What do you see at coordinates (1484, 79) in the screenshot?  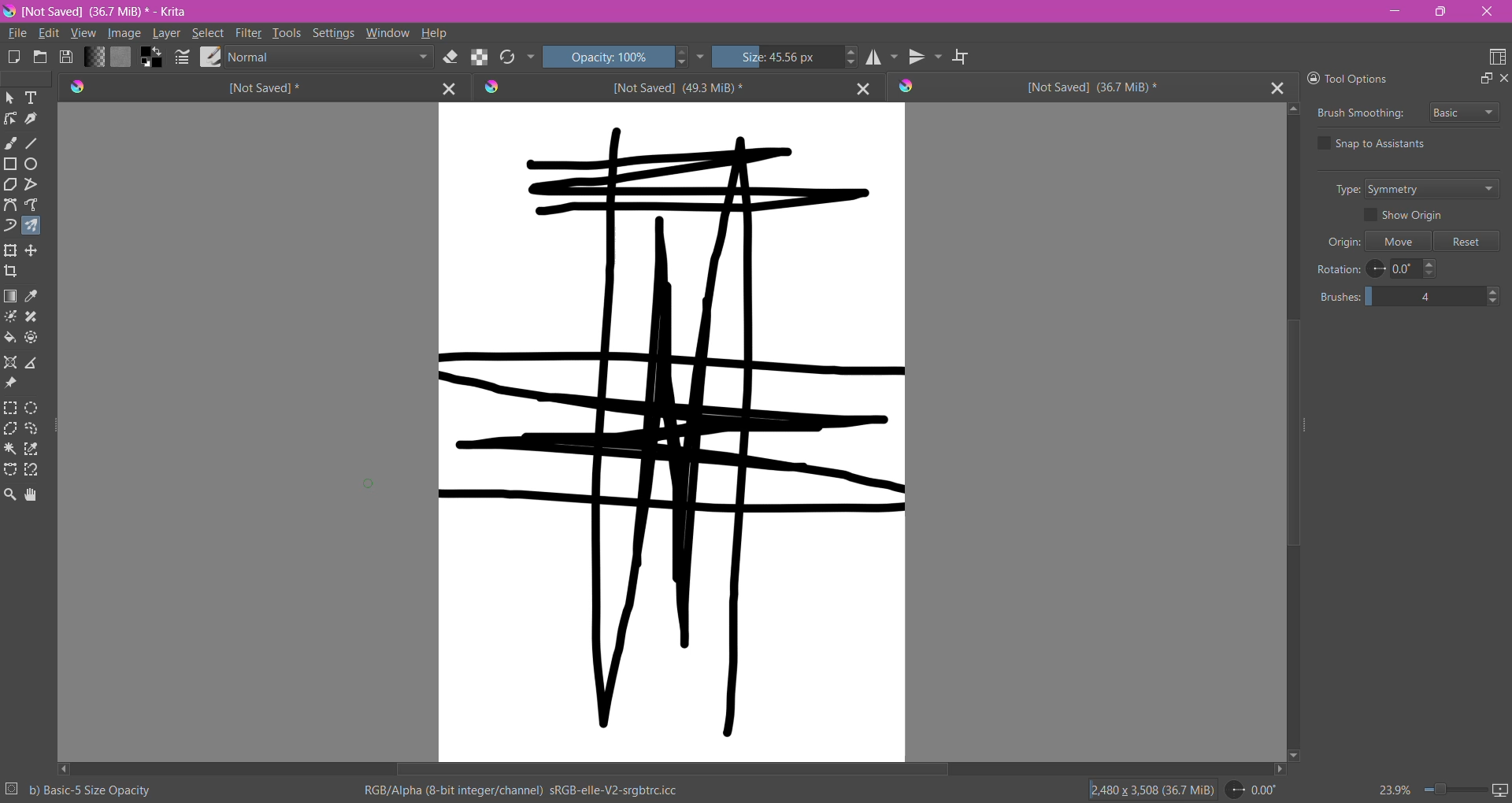 I see `Float Docker` at bounding box center [1484, 79].